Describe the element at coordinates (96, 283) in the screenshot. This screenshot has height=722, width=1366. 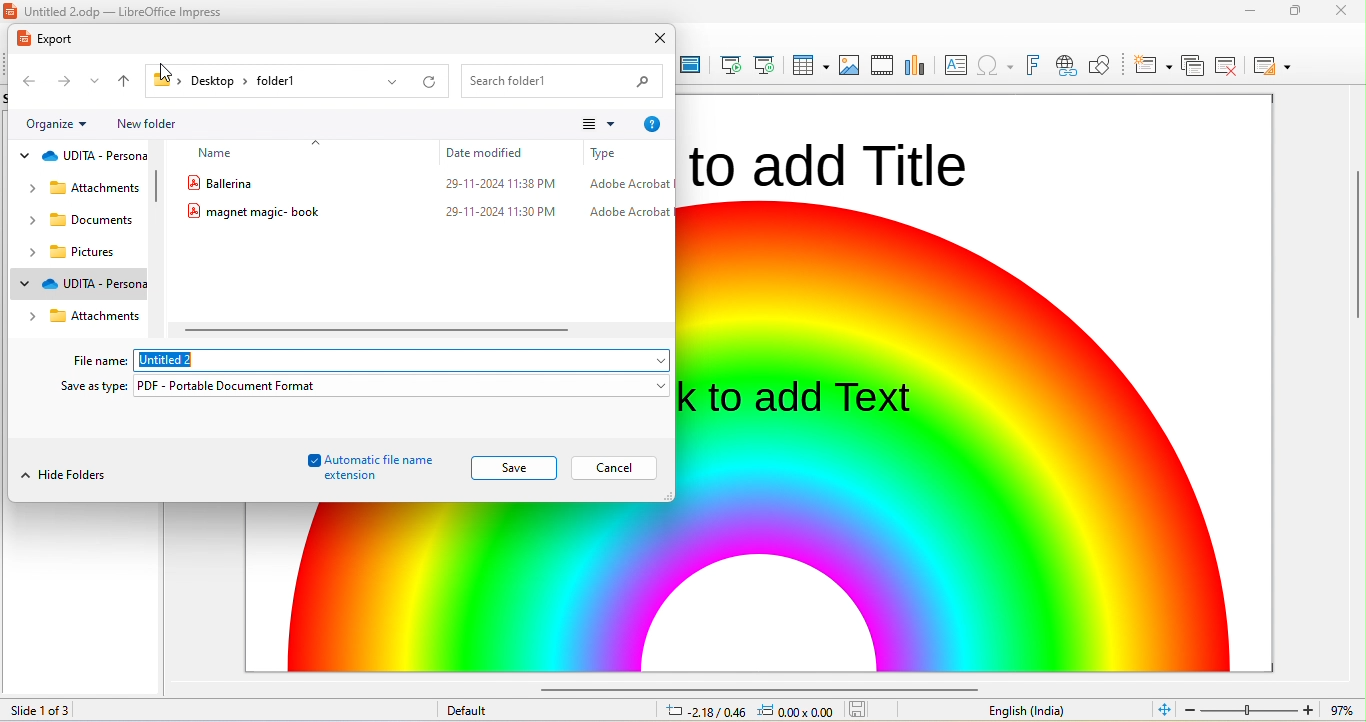
I see `udita personal` at that location.